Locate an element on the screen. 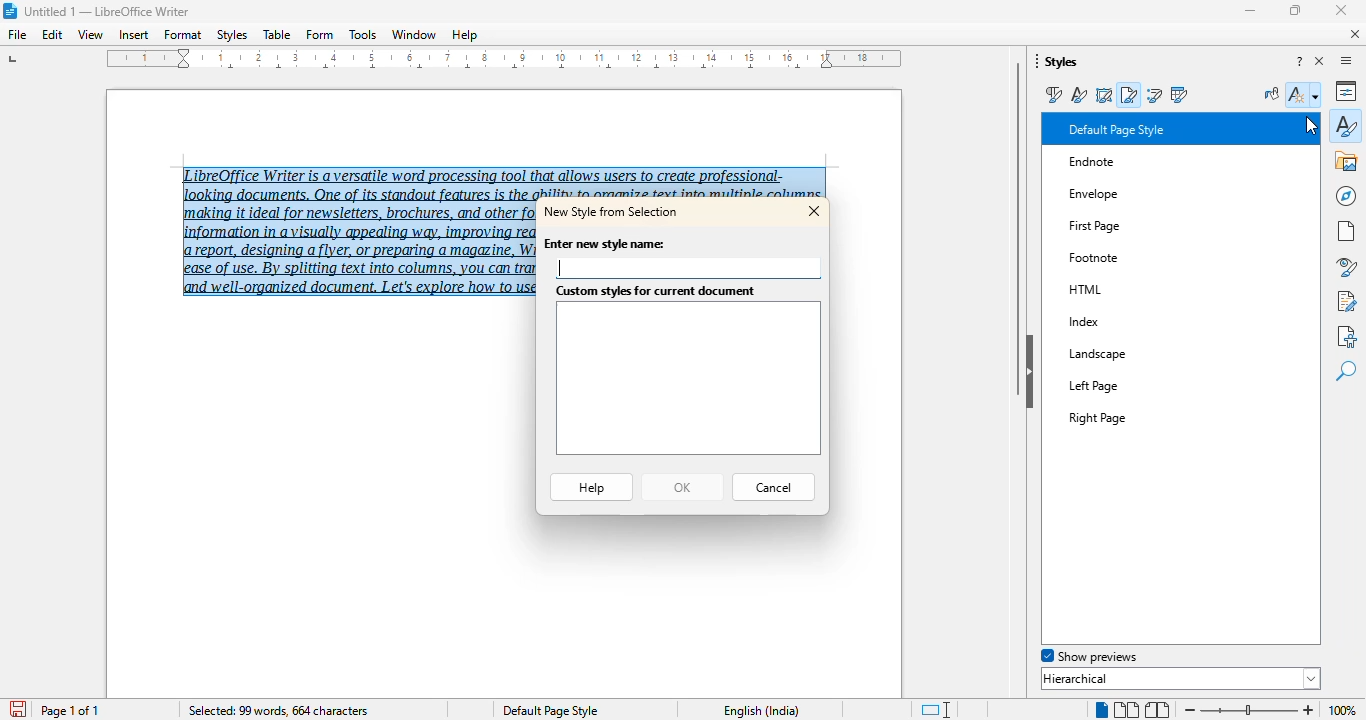  vertical scroll bar is located at coordinates (1019, 228).